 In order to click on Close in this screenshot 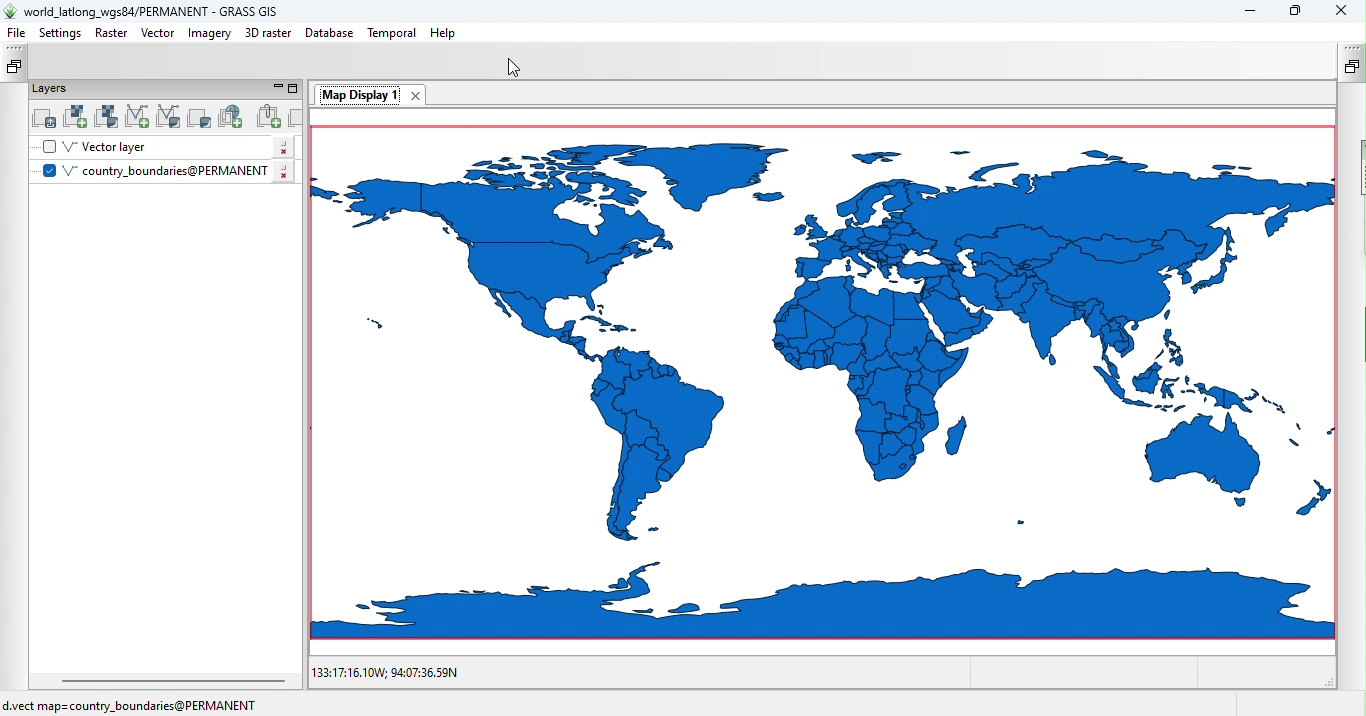, I will do `click(1342, 11)`.